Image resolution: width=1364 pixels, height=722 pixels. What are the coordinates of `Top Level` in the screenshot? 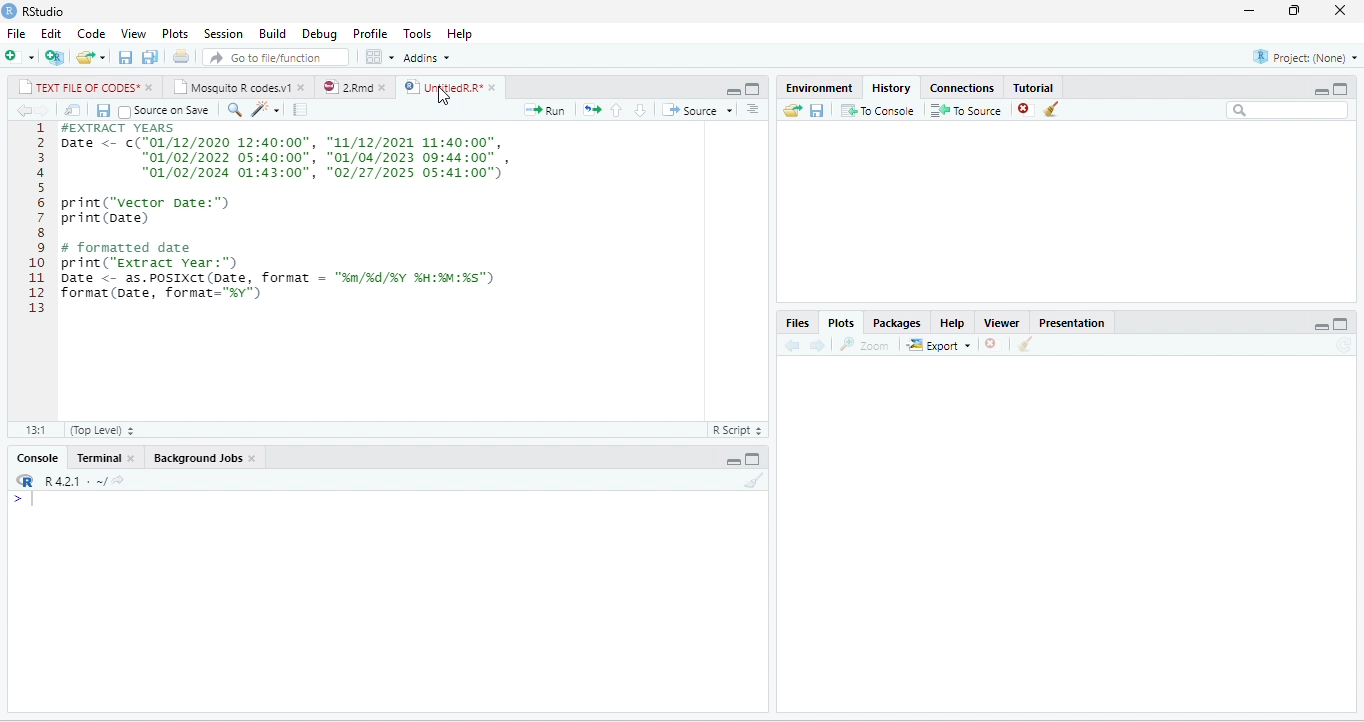 It's located at (102, 429).